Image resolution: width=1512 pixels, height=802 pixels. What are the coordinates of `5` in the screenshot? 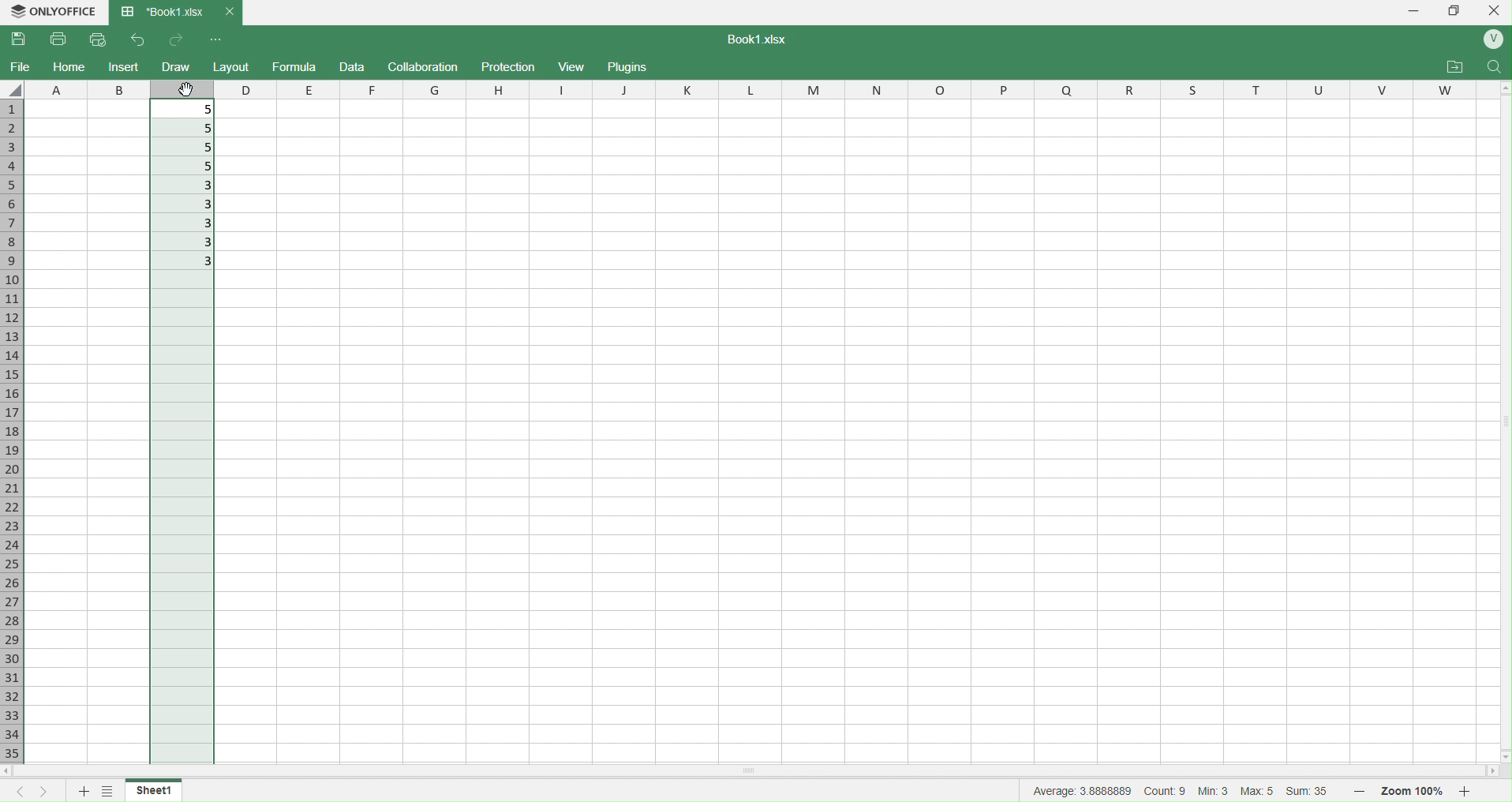 It's located at (191, 147).